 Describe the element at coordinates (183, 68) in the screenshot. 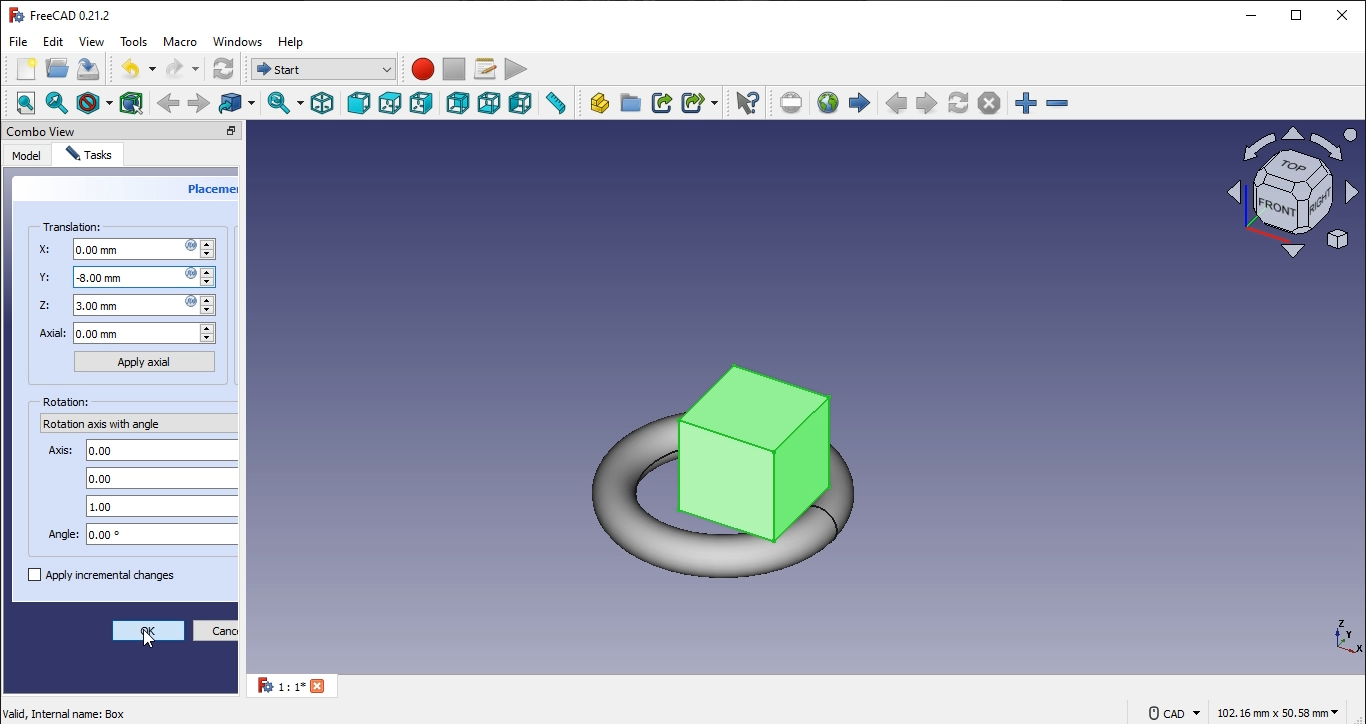

I see `redo` at that location.